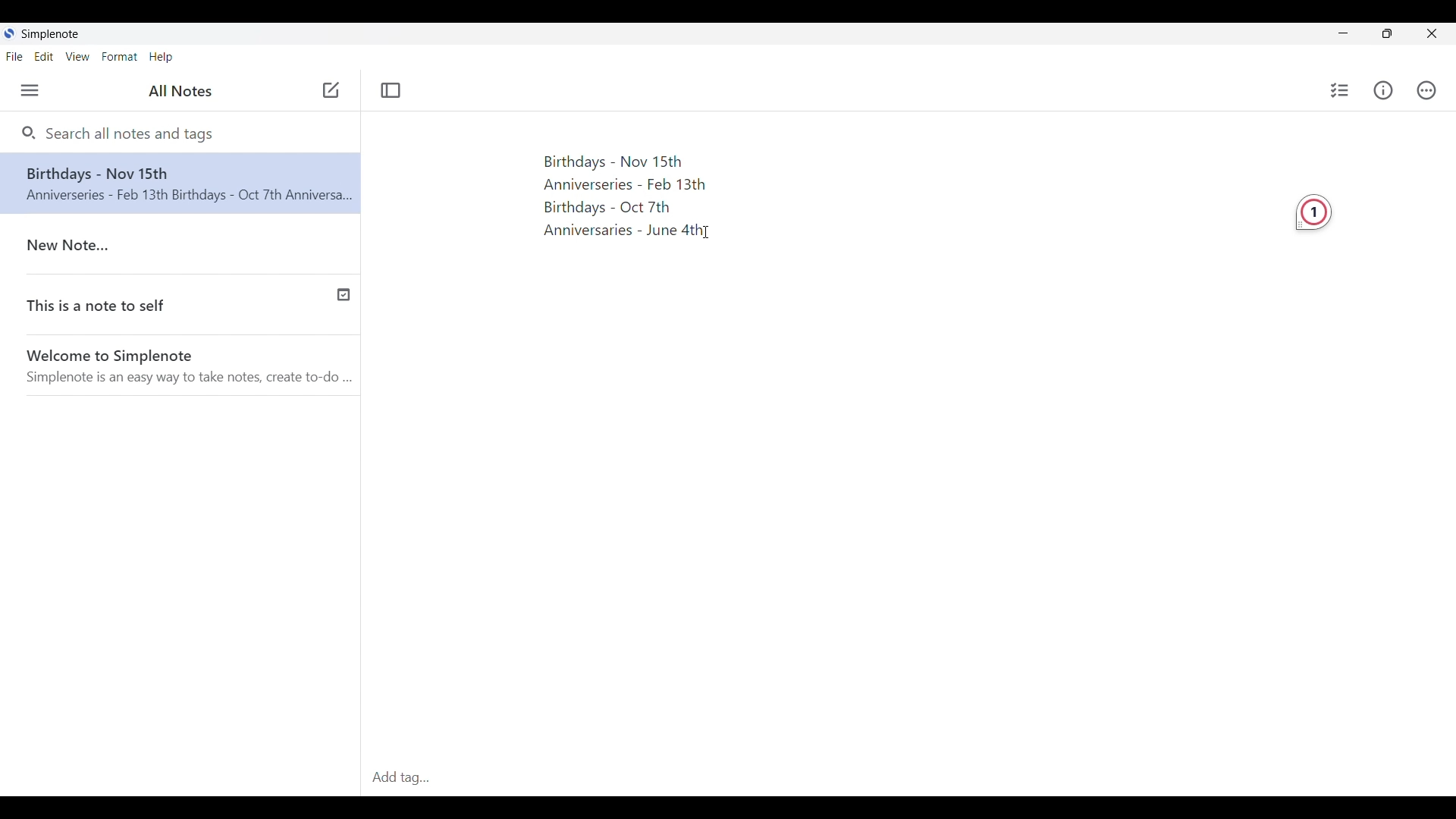 This screenshot has width=1456, height=819. Describe the element at coordinates (14, 56) in the screenshot. I see `File menu` at that location.